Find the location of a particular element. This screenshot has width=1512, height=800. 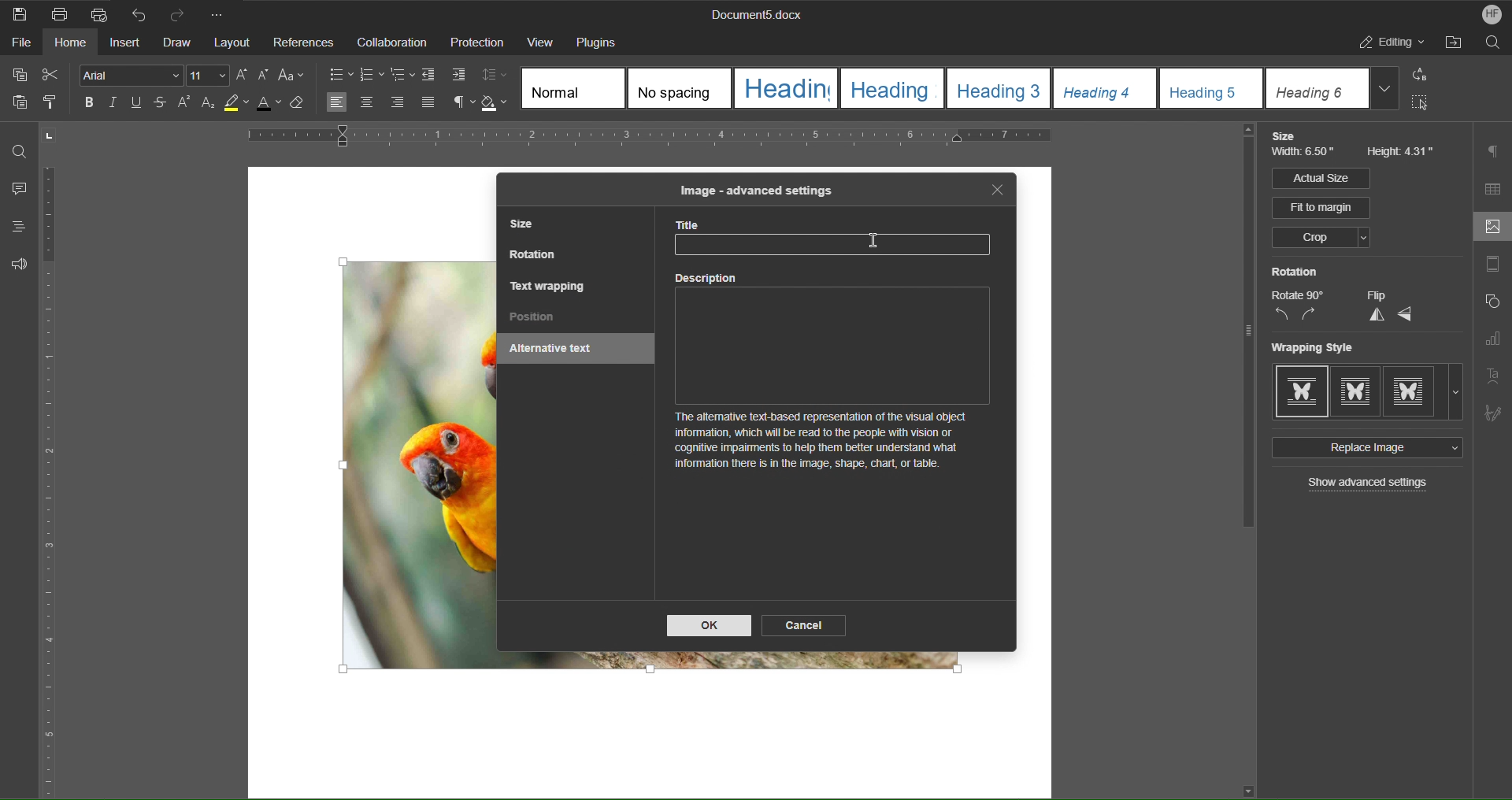

OK is located at coordinates (710, 626).